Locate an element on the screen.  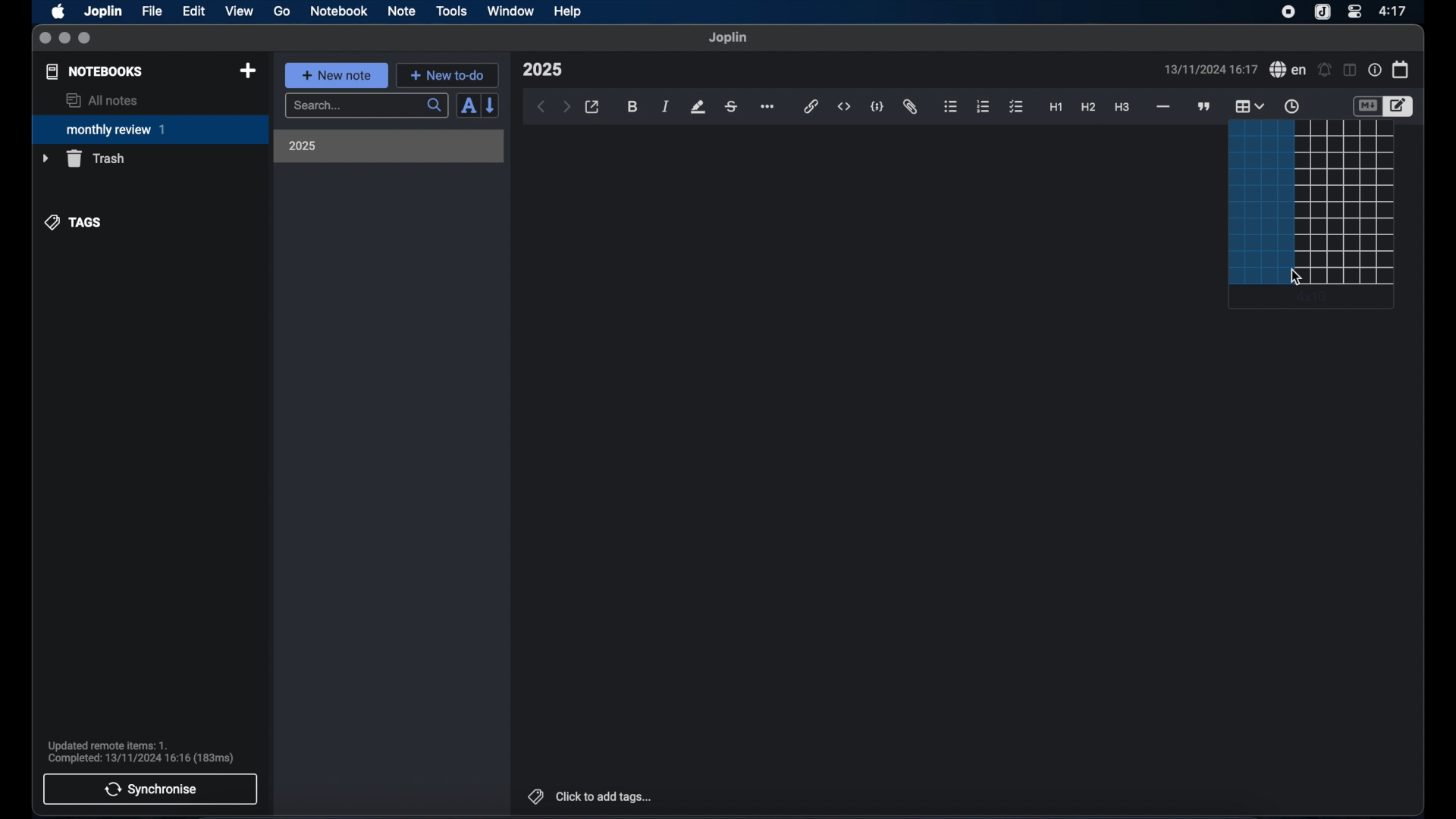
edit is located at coordinates (195, 11).